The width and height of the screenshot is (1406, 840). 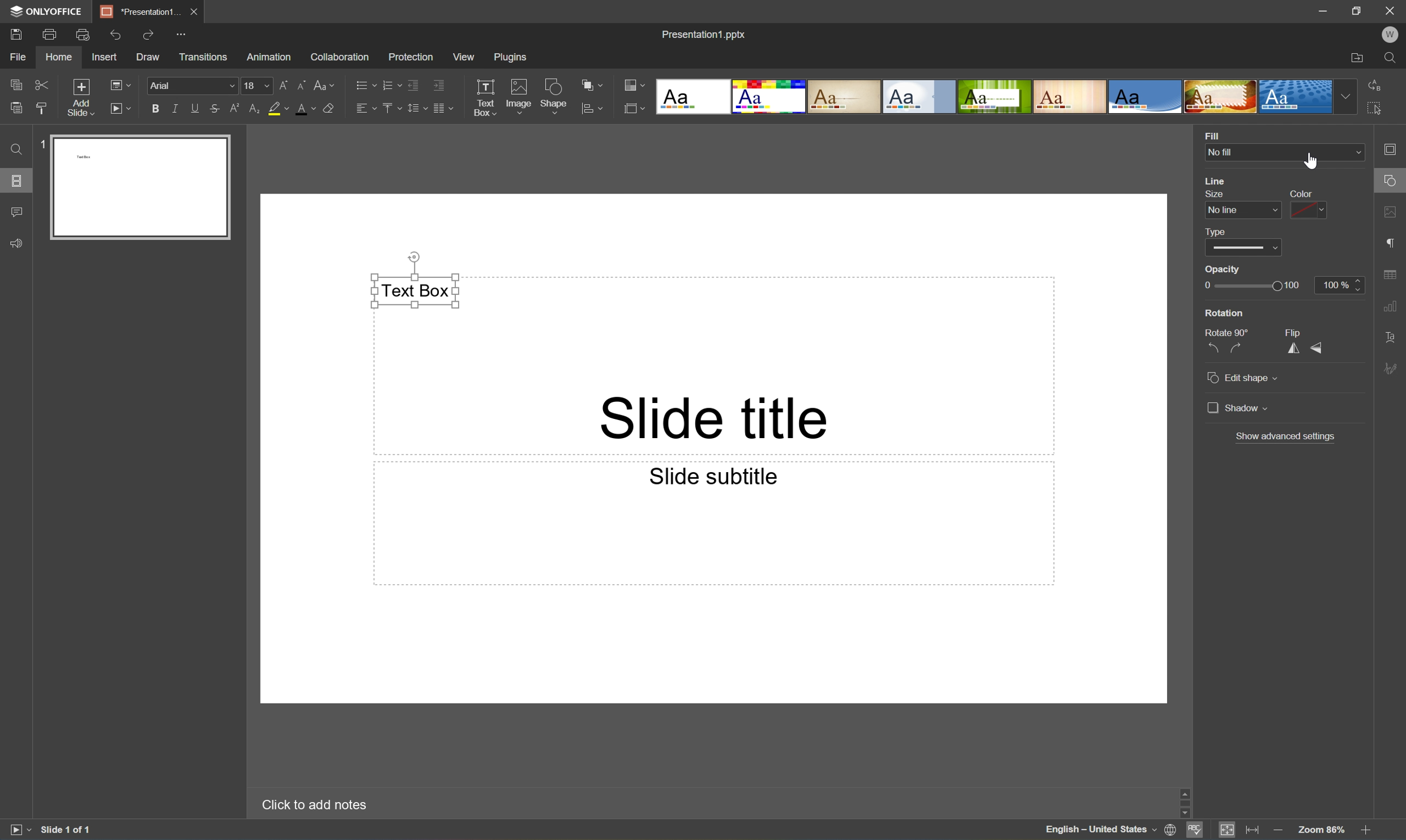 What do you see at coordinates (1170, 830) in the screenshot?
I see `Set document language` at bounding box center [1170, 830].